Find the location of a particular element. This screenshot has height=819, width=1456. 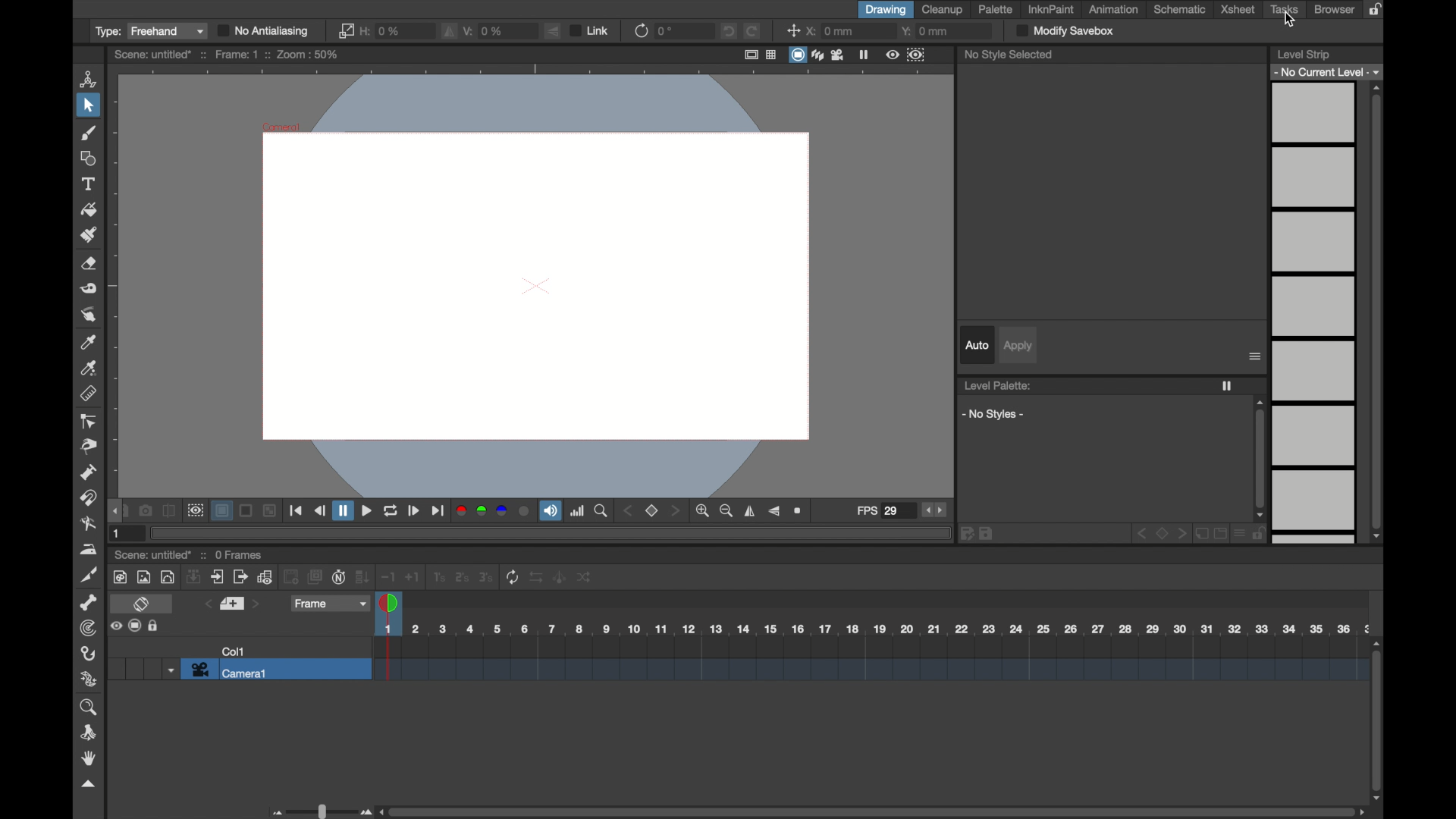

slider is located at coordinates (318, 811).